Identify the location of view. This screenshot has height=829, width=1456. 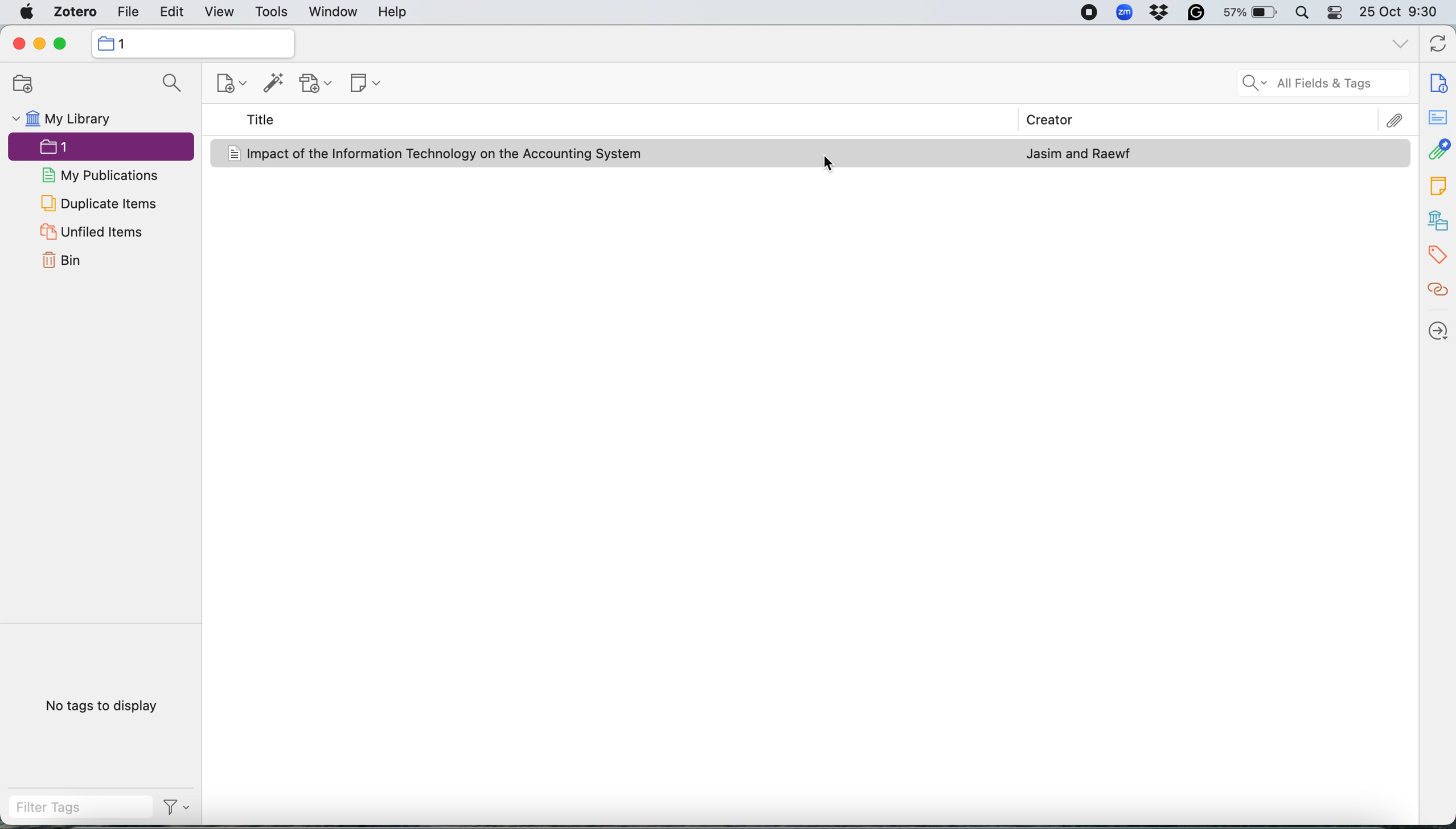
(218, 11).